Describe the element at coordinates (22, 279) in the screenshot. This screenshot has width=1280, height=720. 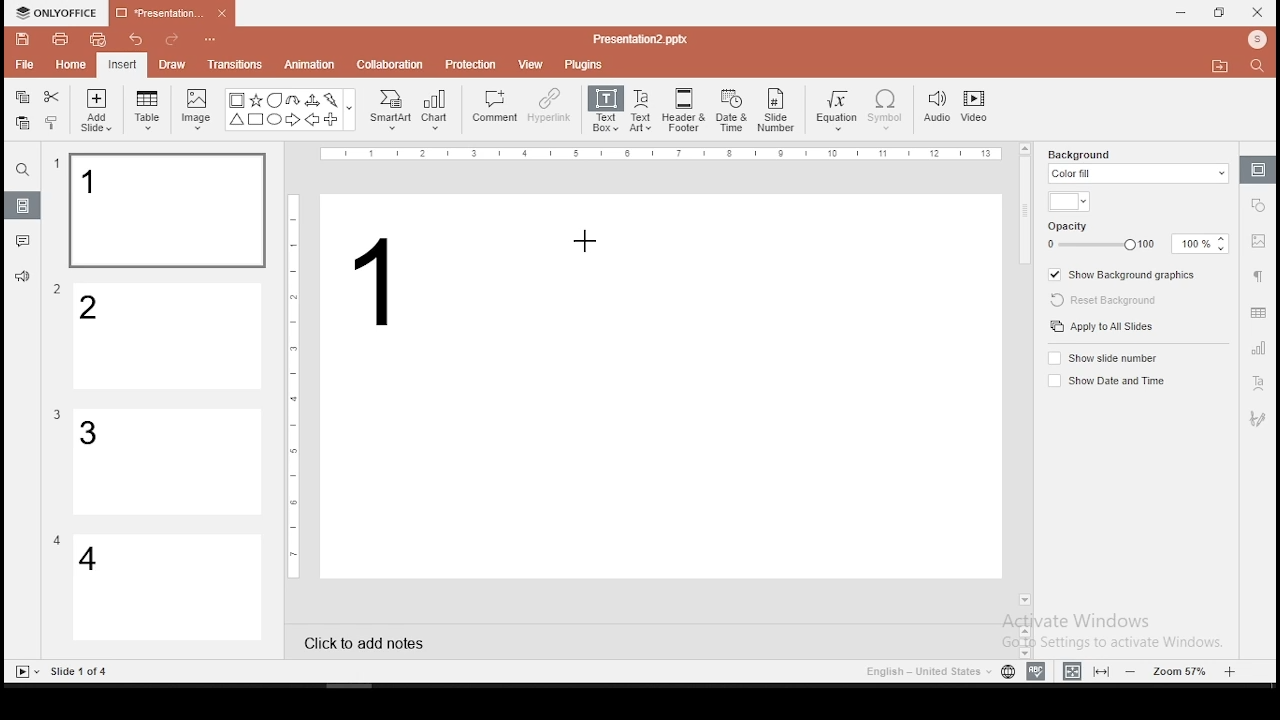
I see `support and feedback` at that location.